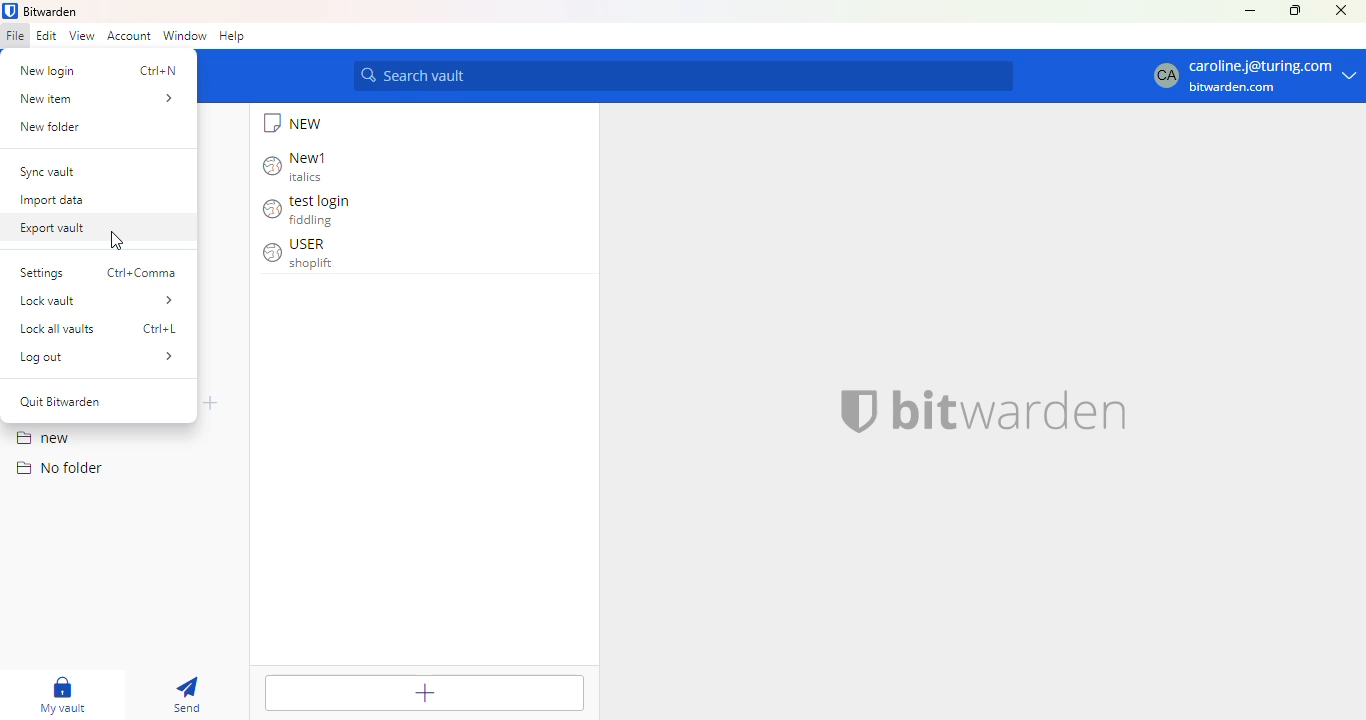  What do you see at coordinates (1295, 11) in the screenshot?
I see `maximize` at bounding box center [1295, 11].